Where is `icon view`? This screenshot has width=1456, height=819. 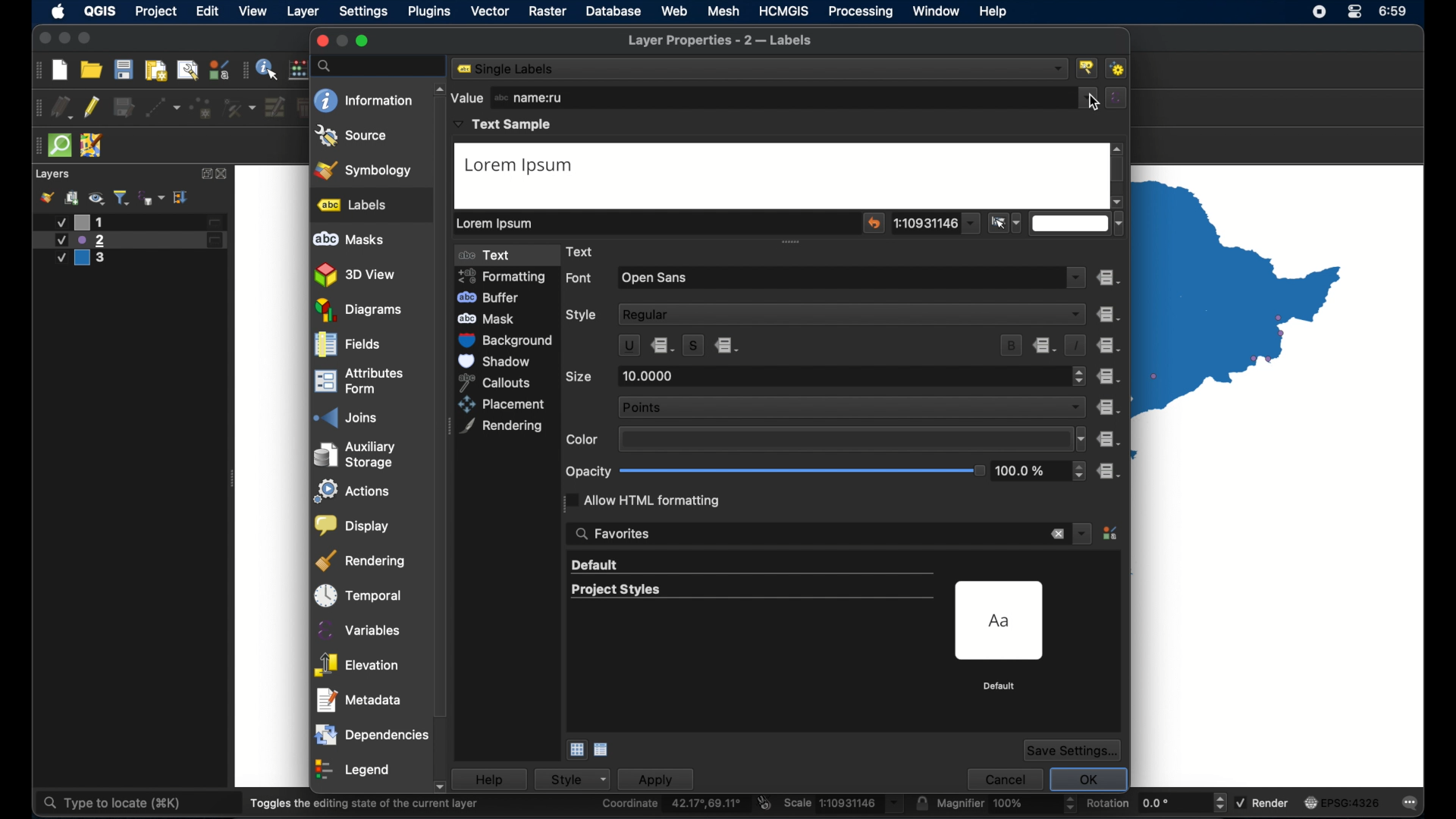 icon view is located at coordinates (576, 750).